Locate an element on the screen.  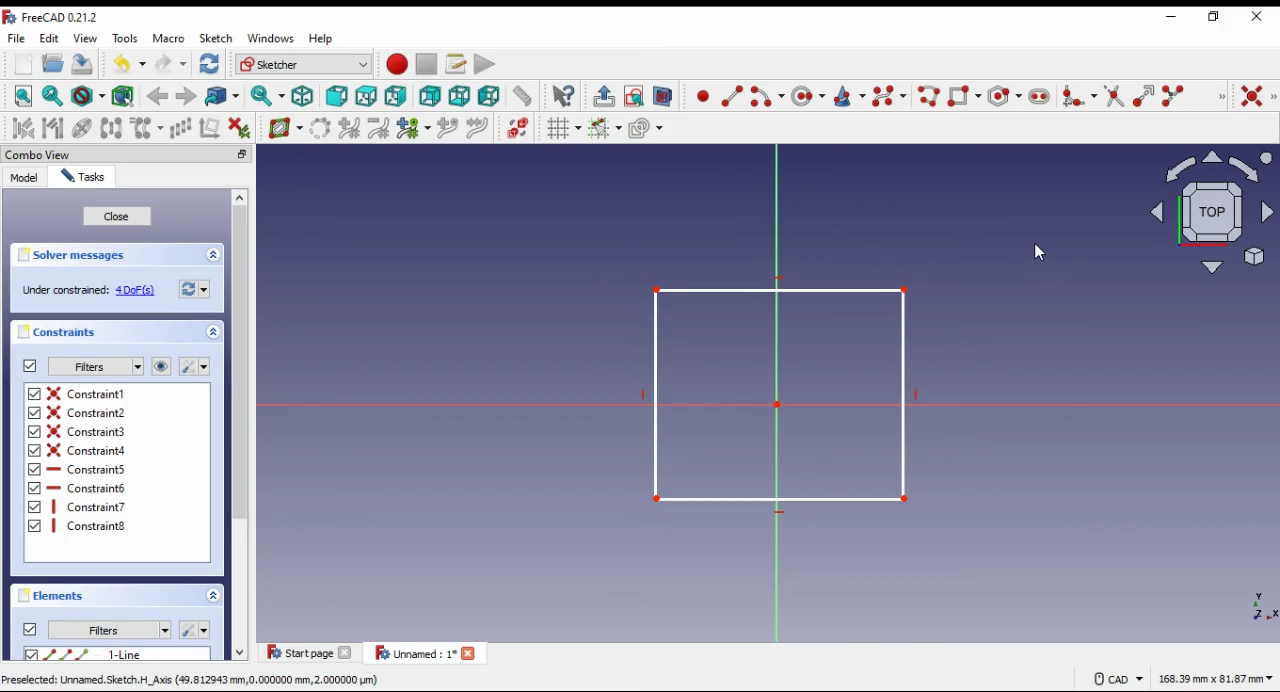
mouse pointer is located at coordinates (1036, 253).